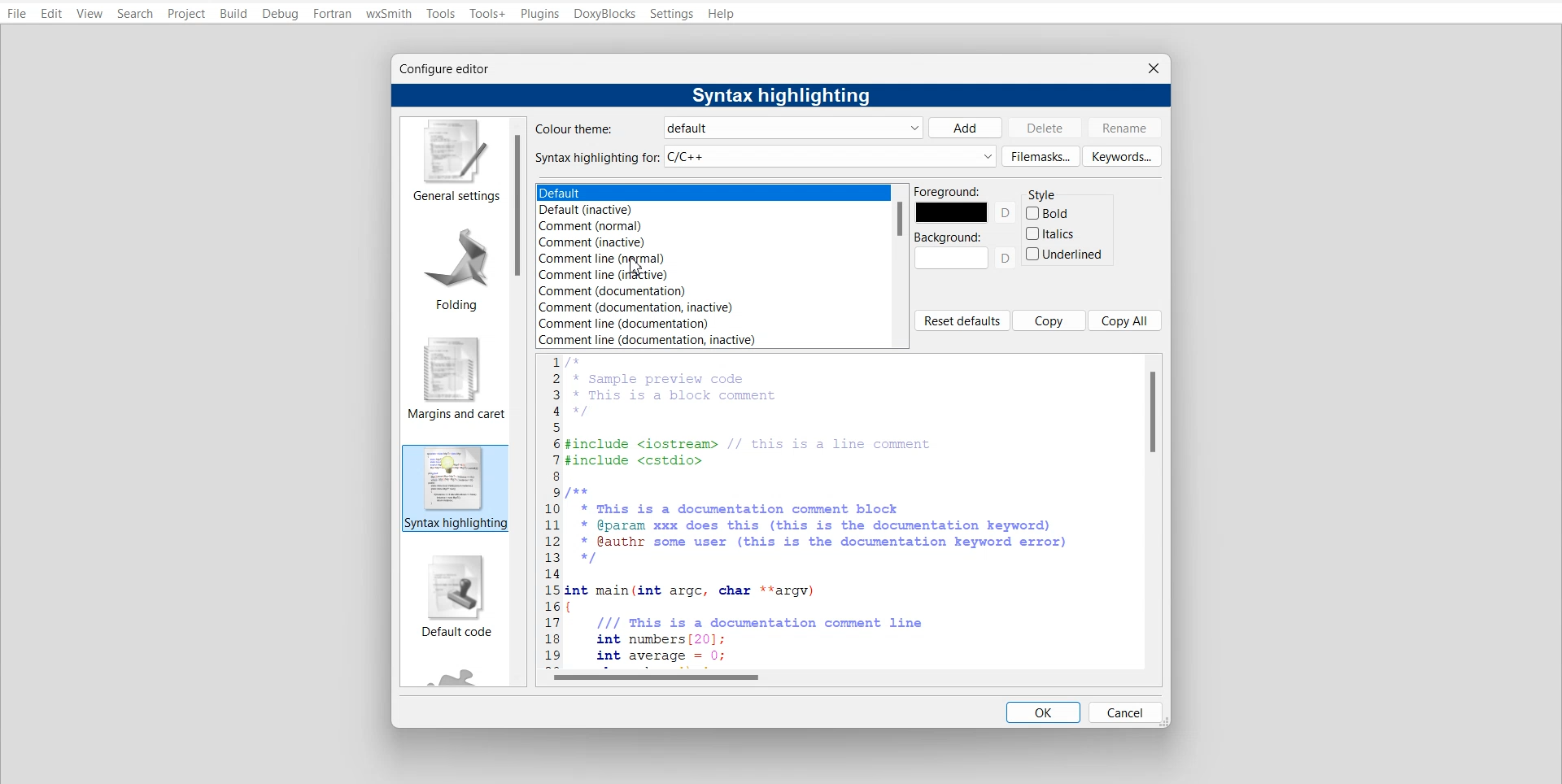 The image size is (1562, 784). What do you see at coordinates (648, 210) in the screenshot?
I see `Default (inactive)` at bounding box center [648, 210].